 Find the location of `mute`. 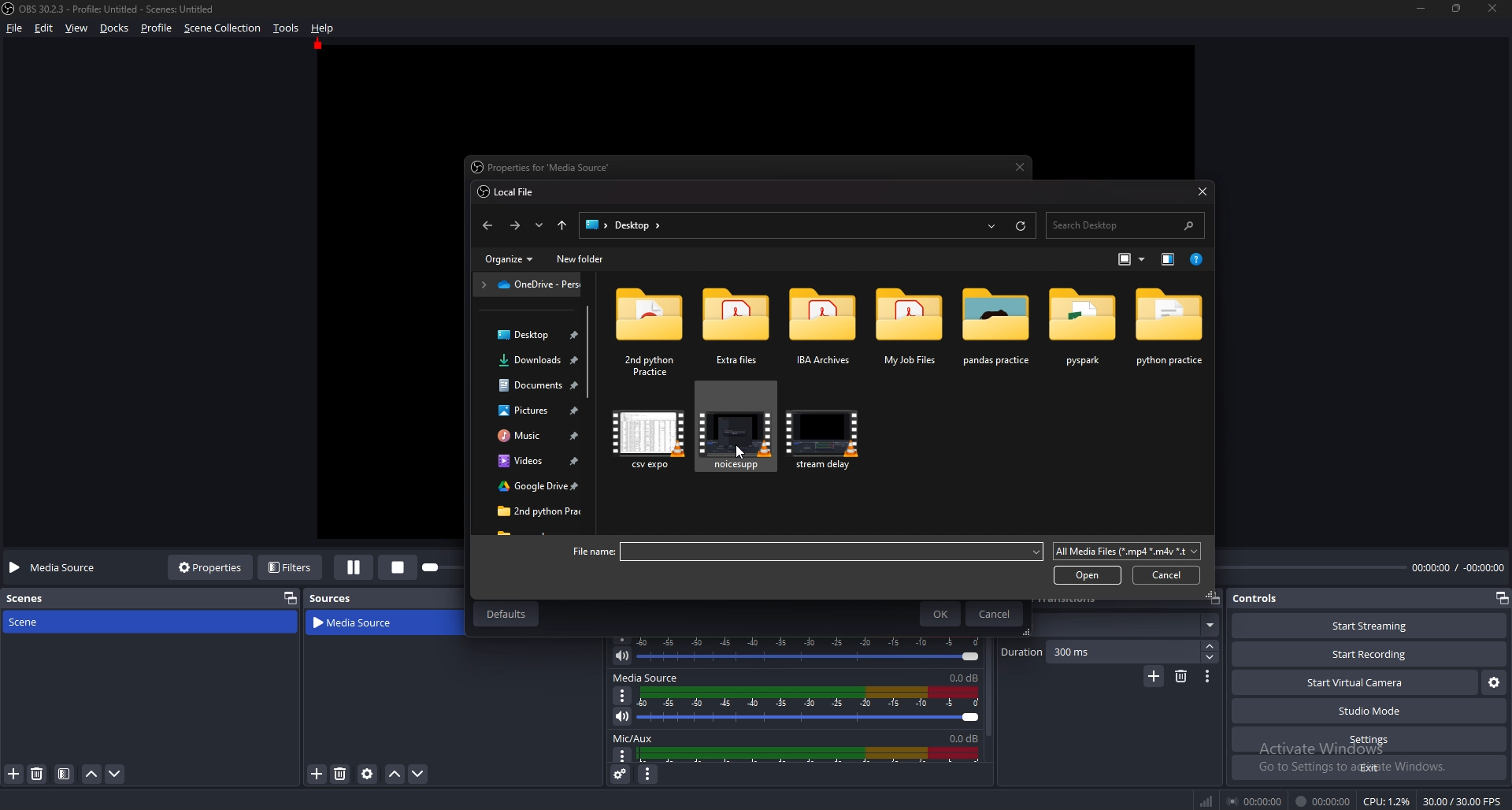

mute is located at coordinates (622, 716).